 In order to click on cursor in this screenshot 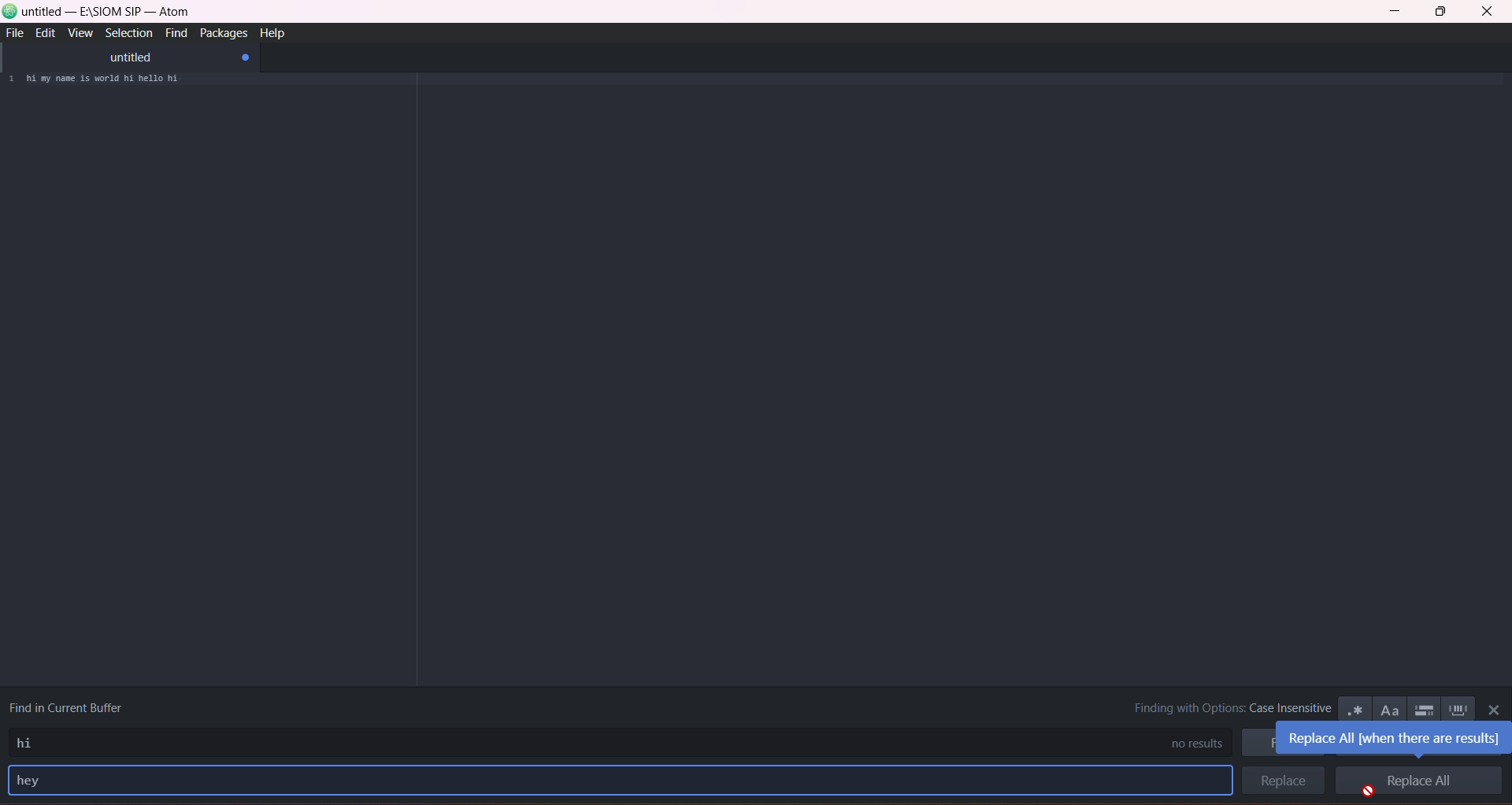, I will do `click(1373, 790)`.